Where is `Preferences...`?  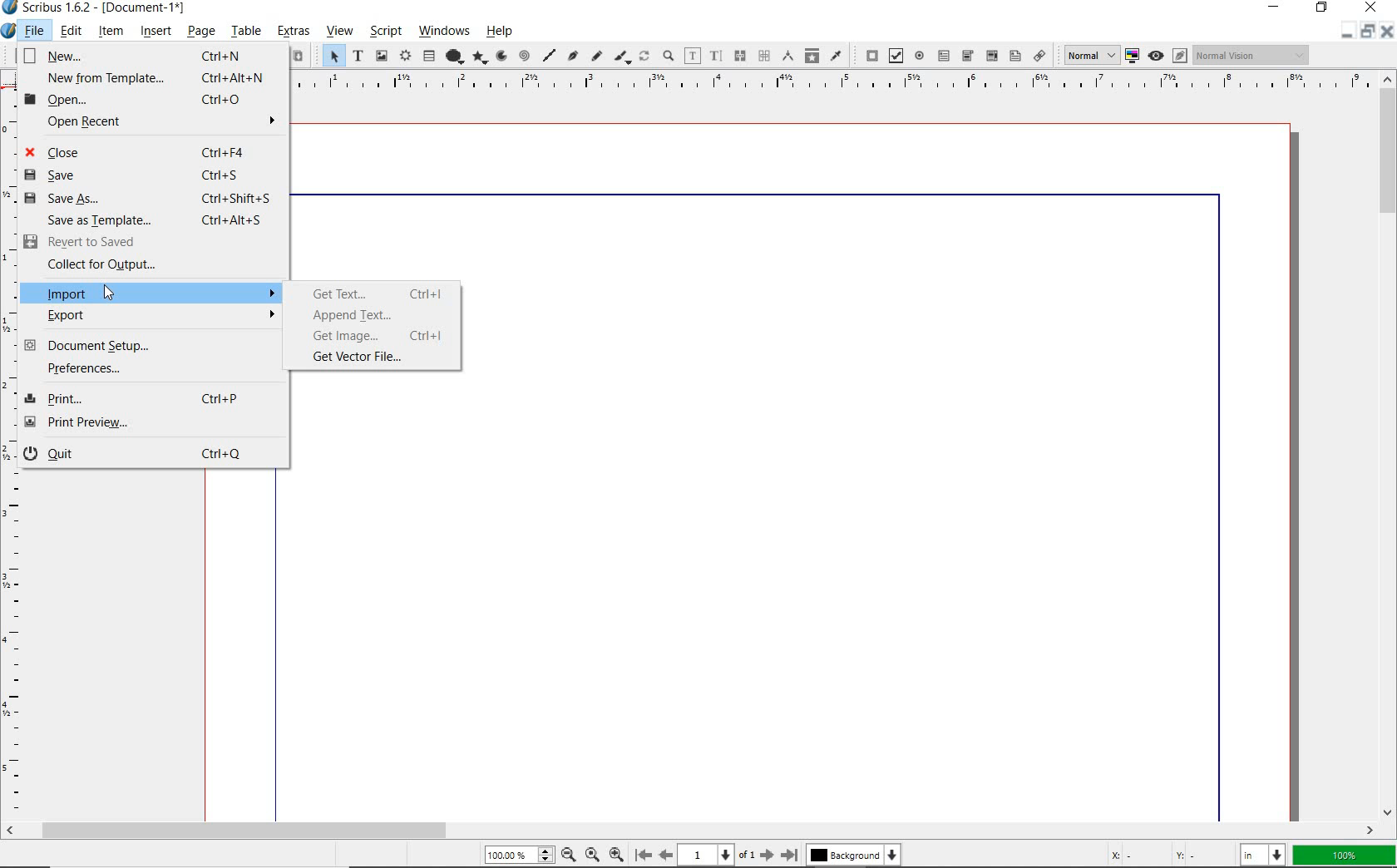
Preferences... is located at coordinates (151, 369).